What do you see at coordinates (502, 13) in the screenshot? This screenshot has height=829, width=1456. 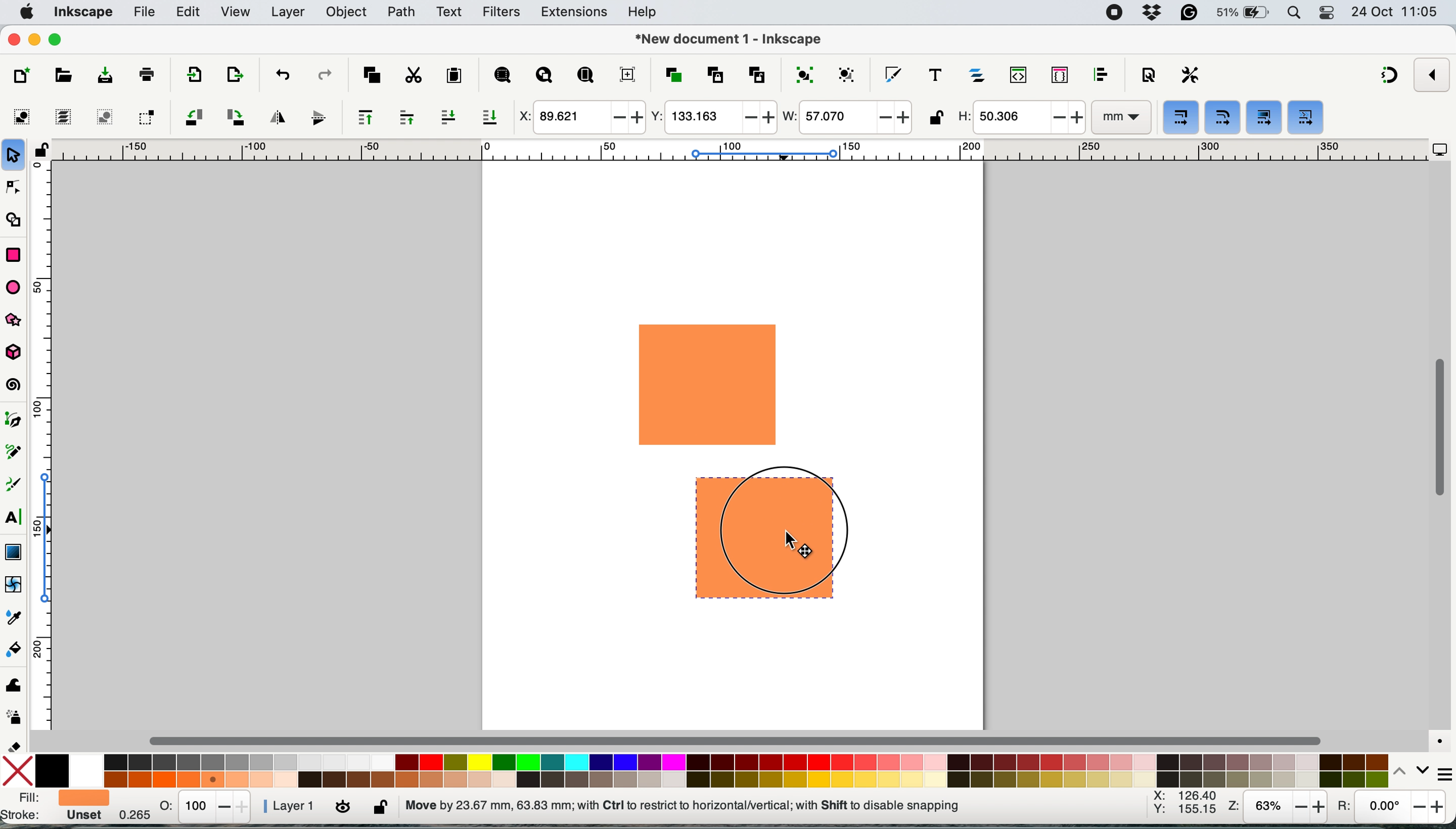 I see `filters` at bounding box center [502, 13].